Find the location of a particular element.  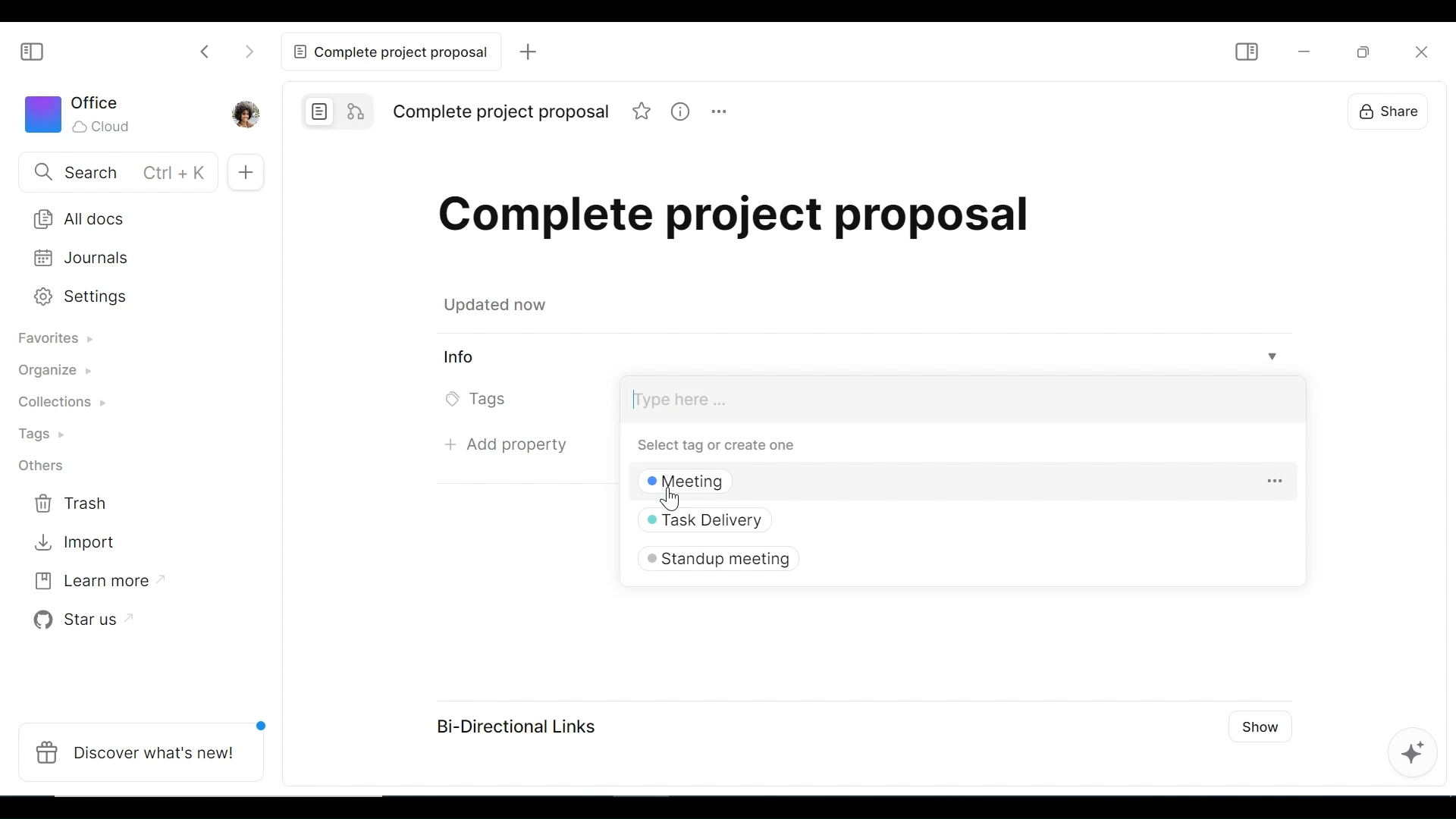

Others is located at coordinates (40, 465).